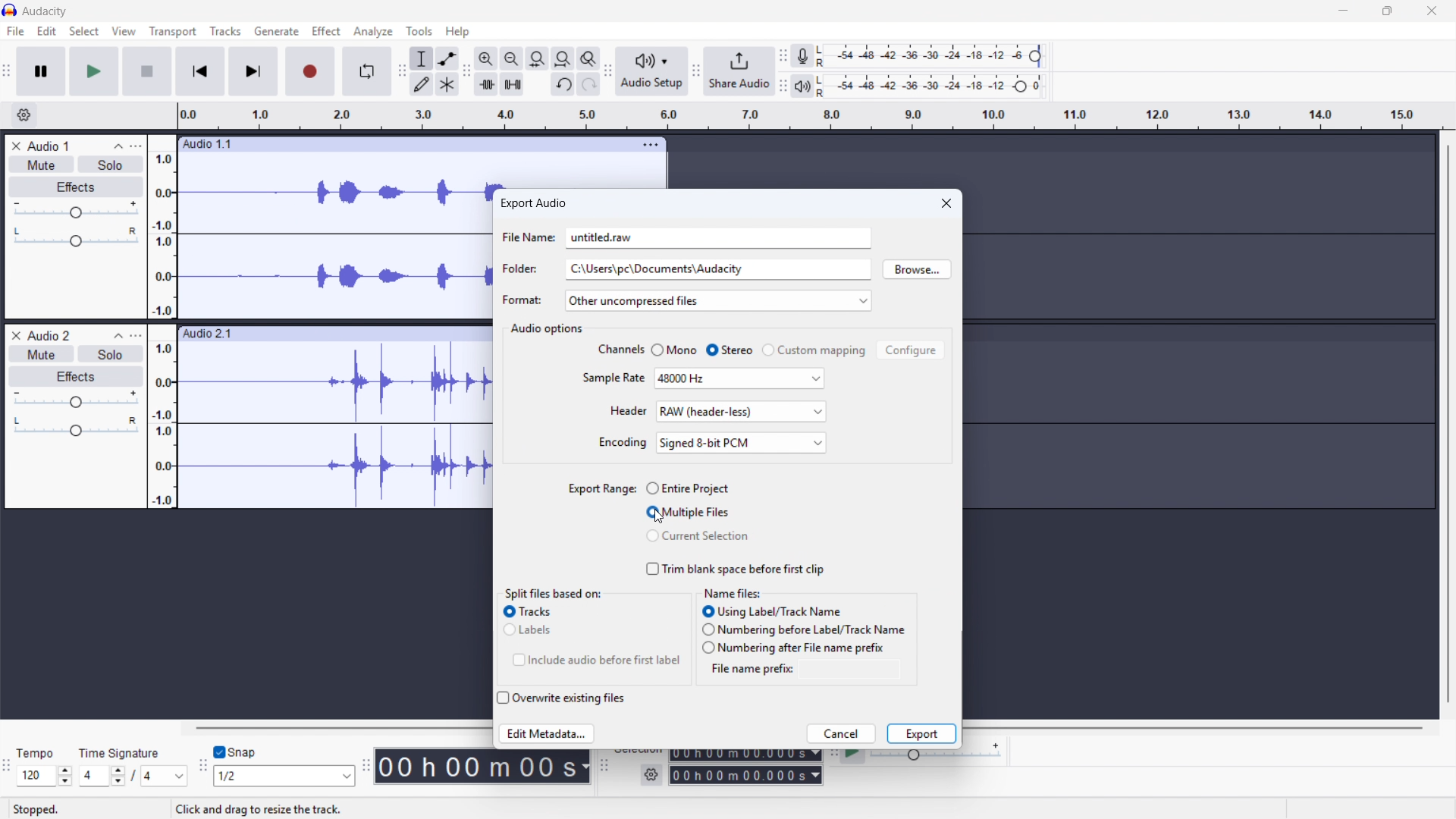  Describe the element at coordinates (447, 58) in the screenshot. I see `Envelope tool ` at that location.